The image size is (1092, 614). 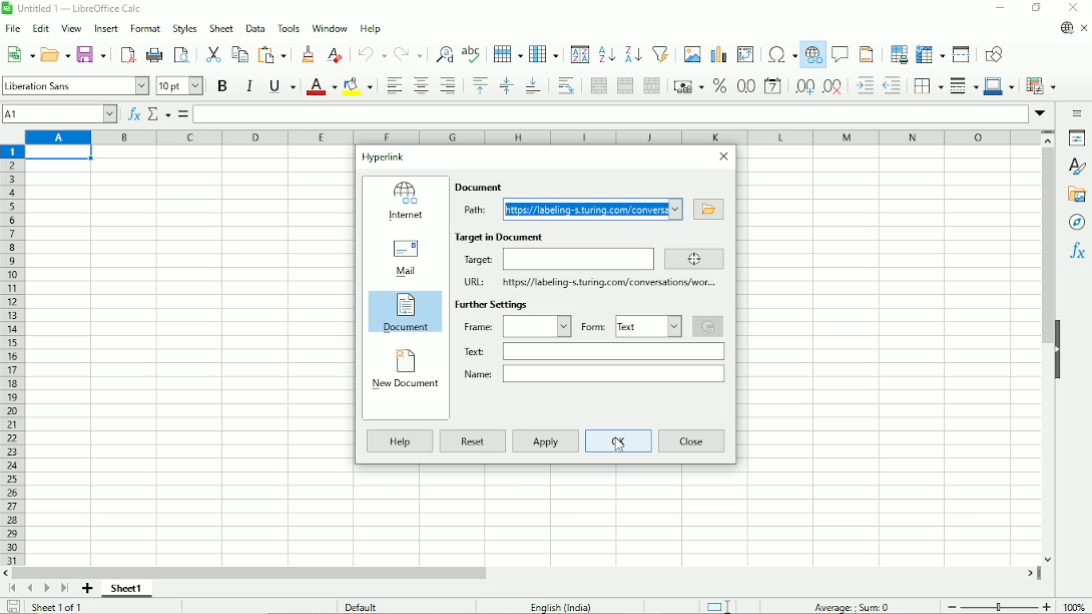 What do you see at coordinates (473, 51) in the screenshot?
I see `Spell check` at bounding box center [473, 51].